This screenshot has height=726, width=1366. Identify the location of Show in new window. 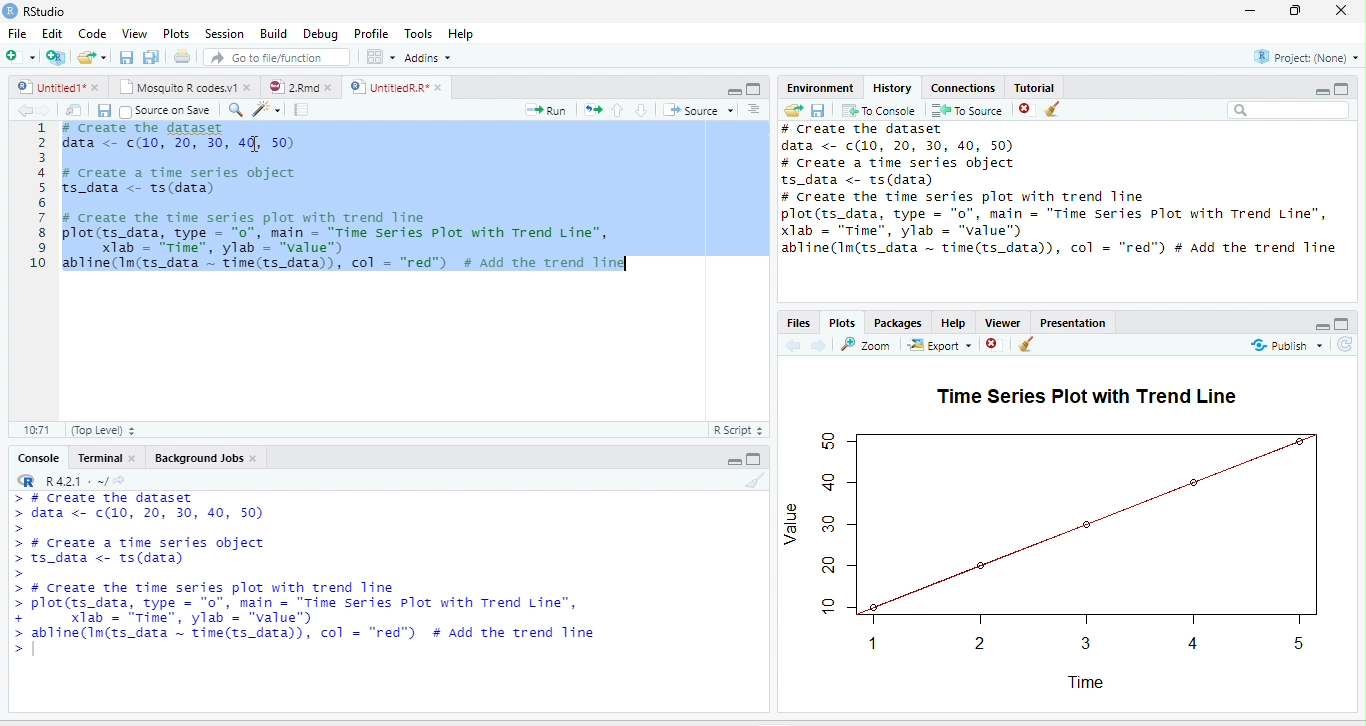
(74, 109).